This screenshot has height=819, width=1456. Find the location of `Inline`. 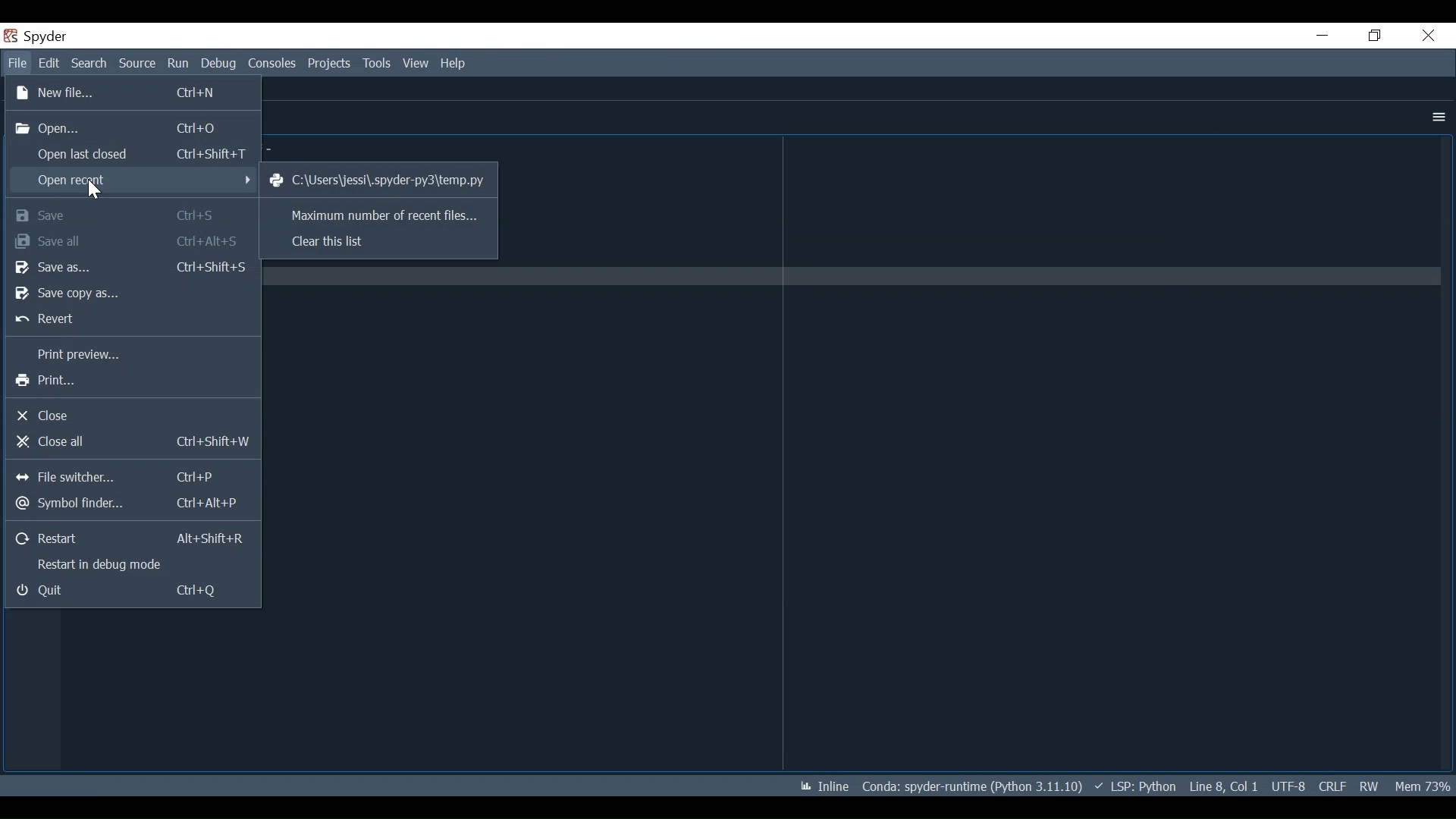

Inline is located at coordinates (821, 785).